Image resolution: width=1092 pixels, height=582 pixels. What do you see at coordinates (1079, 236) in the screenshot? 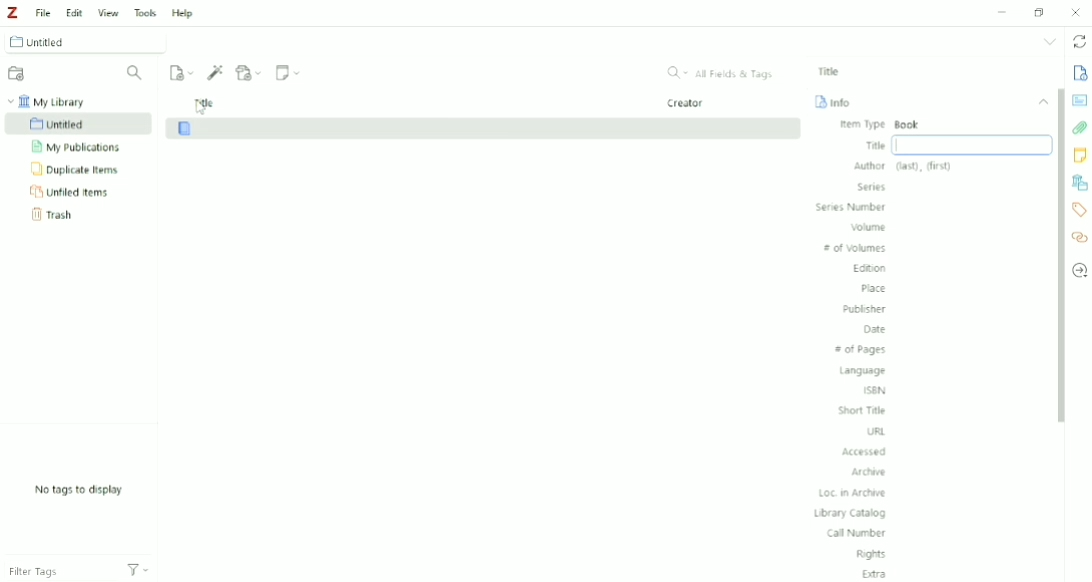
I see `Related` at bounding box center [1079, 236].